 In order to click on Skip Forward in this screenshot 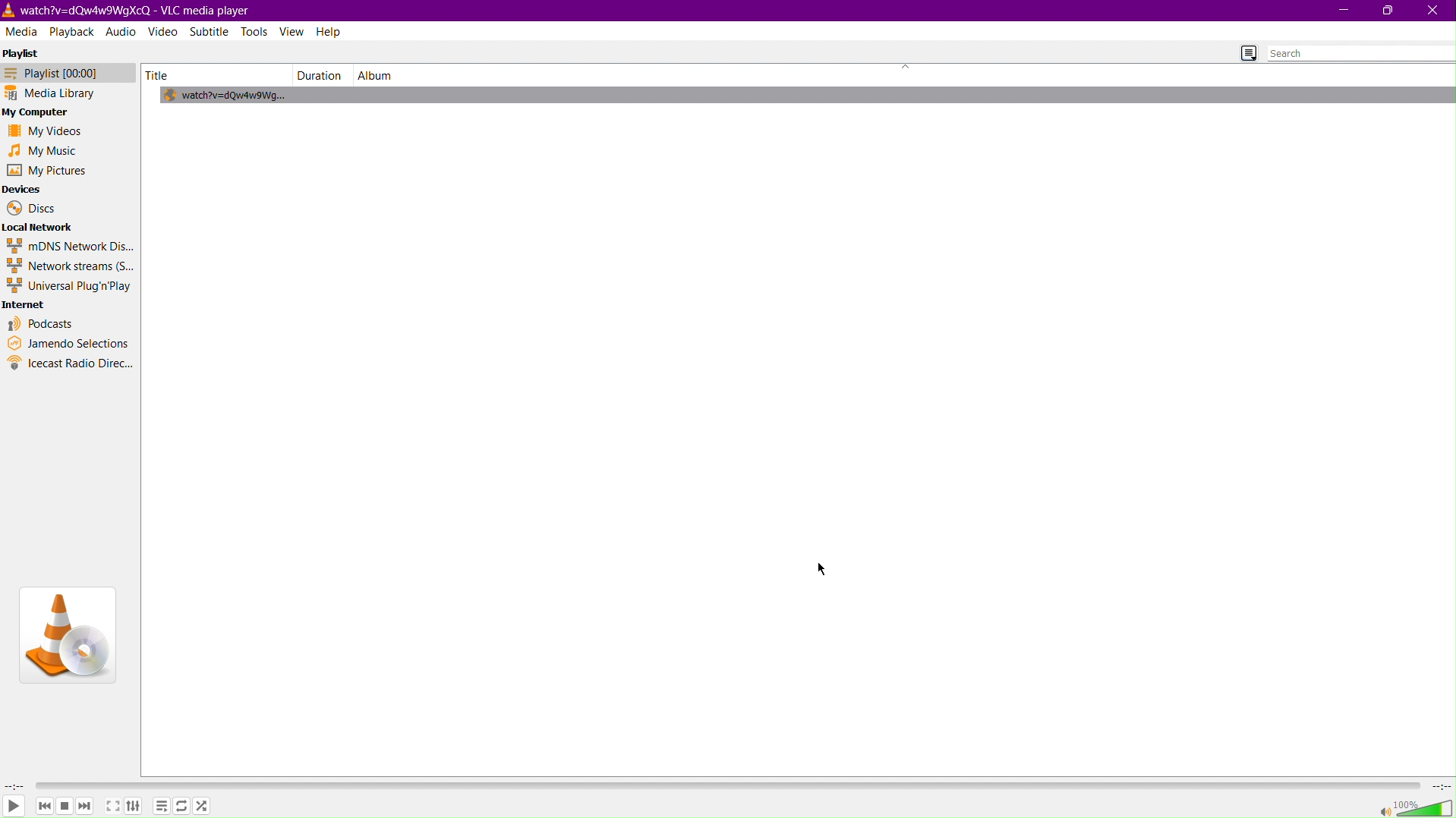, I will do `click(88, 809)`.